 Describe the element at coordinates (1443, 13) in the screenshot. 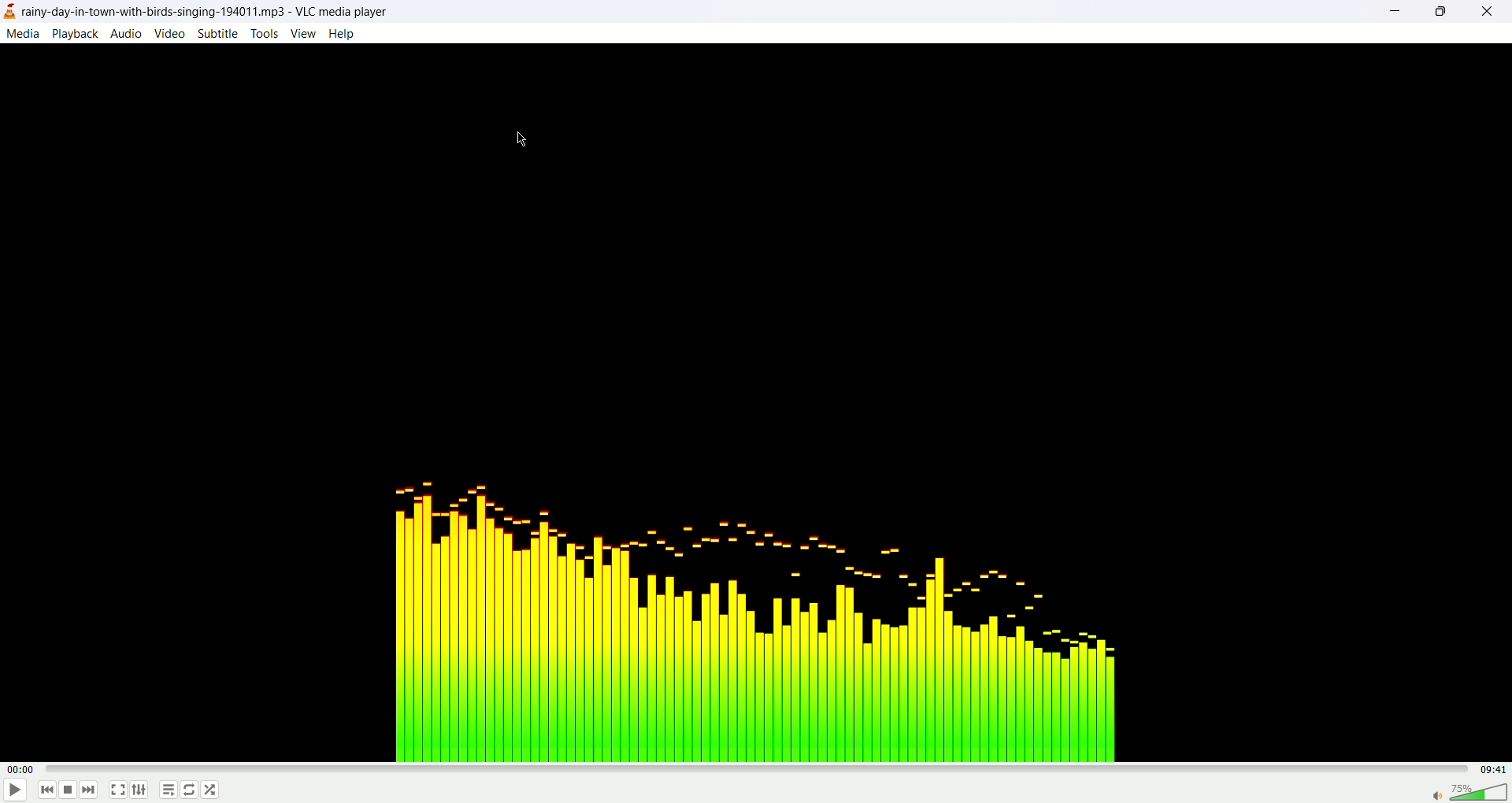

I see `maximize` at that location.